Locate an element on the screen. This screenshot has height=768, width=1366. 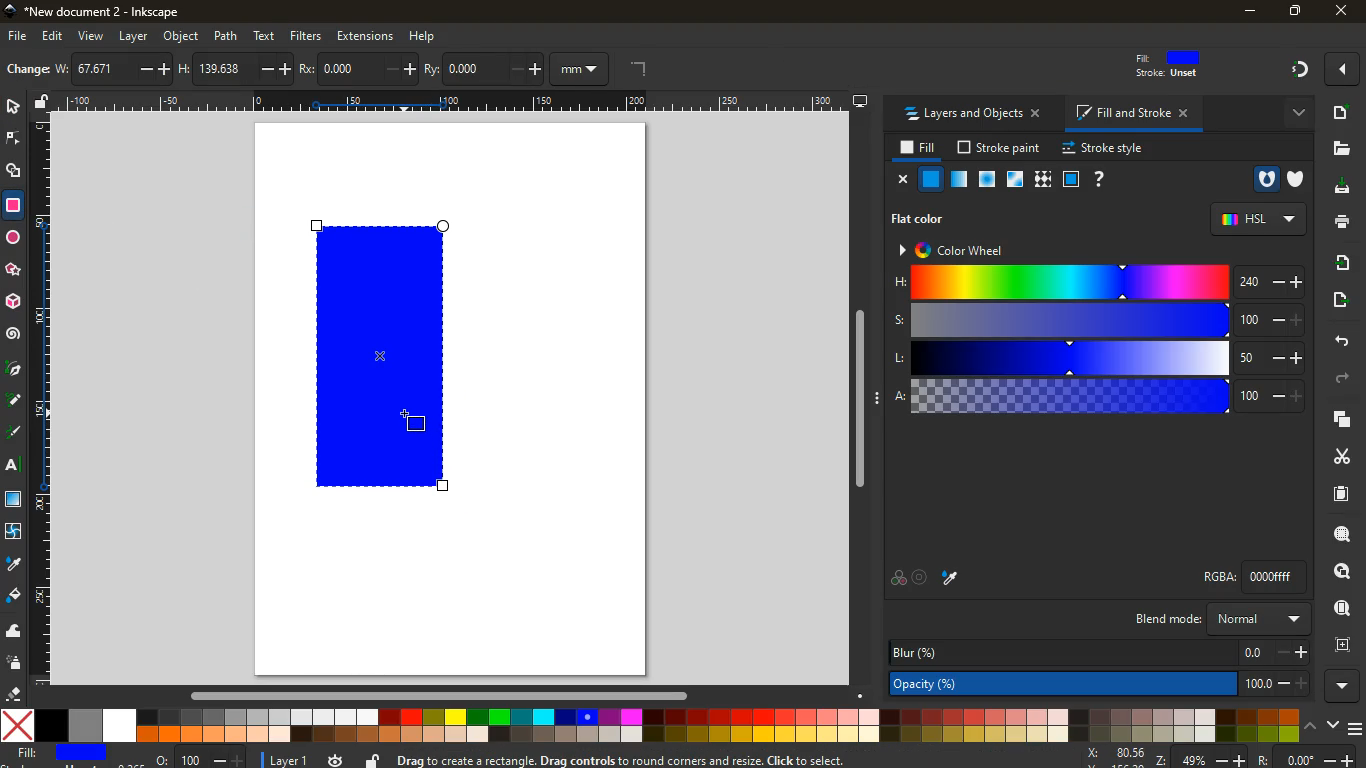
blur is located at coordinates (1100, 652).